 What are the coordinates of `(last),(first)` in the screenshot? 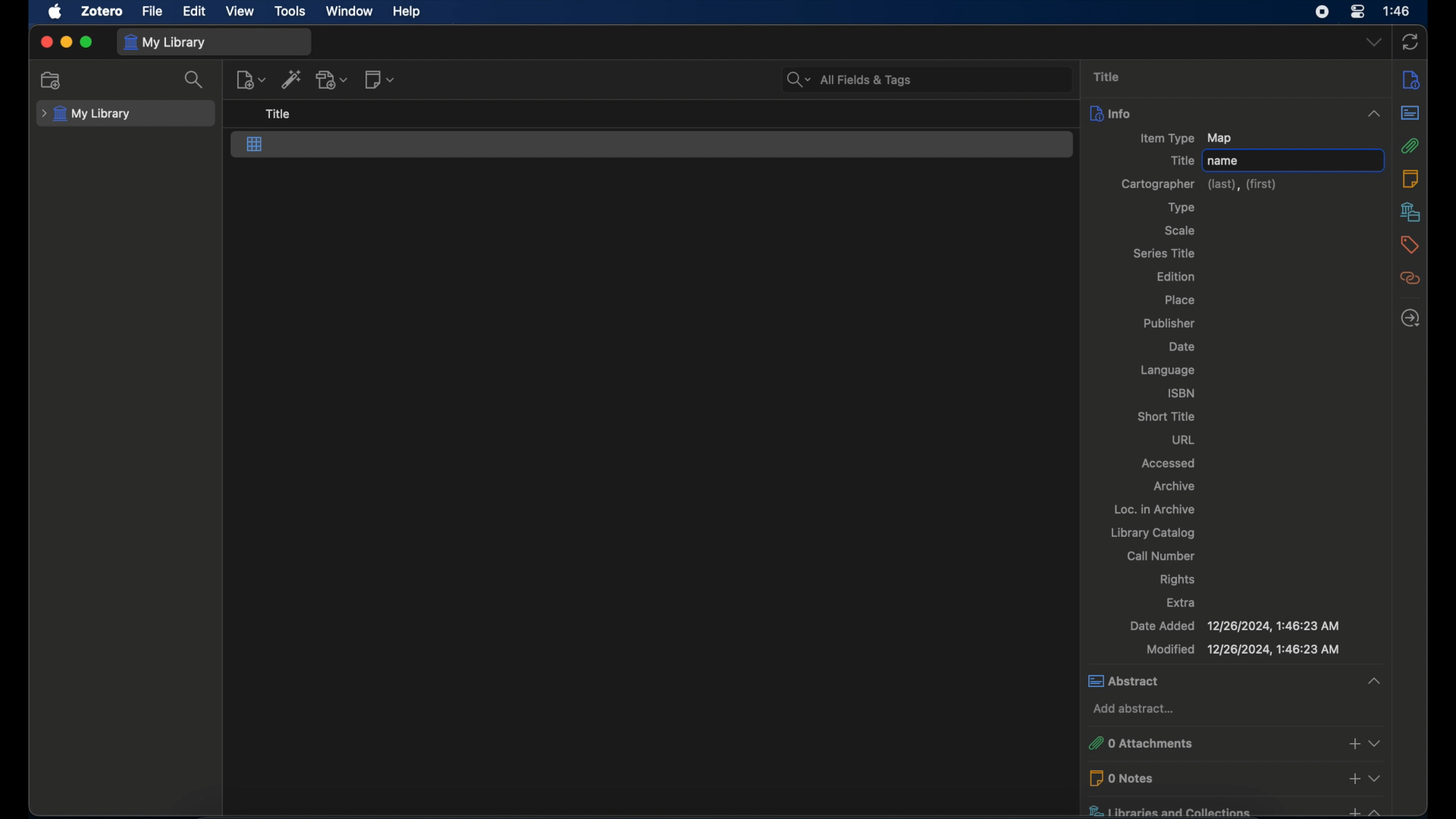 It's located at (1243, 184).